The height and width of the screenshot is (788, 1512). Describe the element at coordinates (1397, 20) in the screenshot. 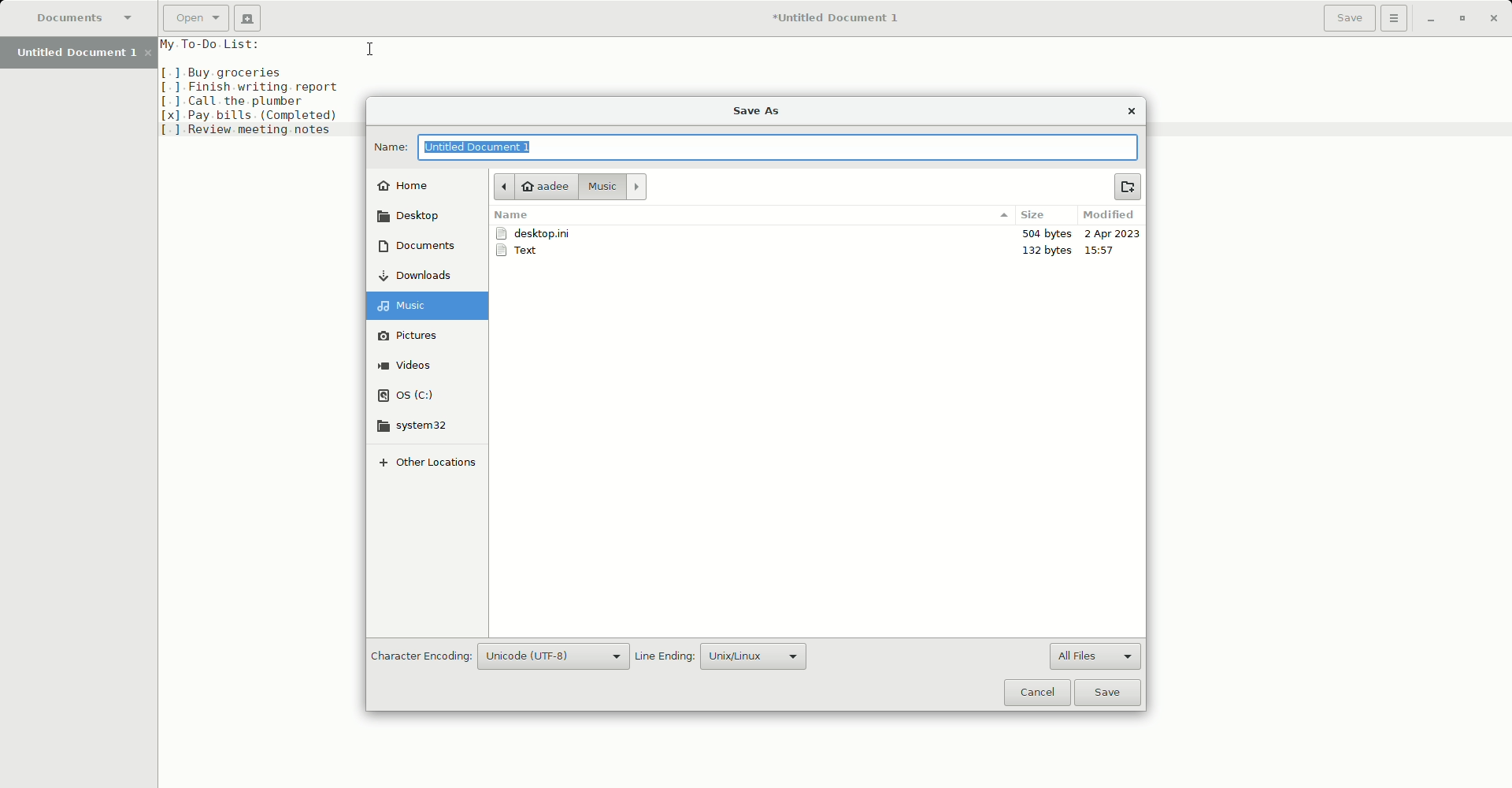

I see `Options` at that location.